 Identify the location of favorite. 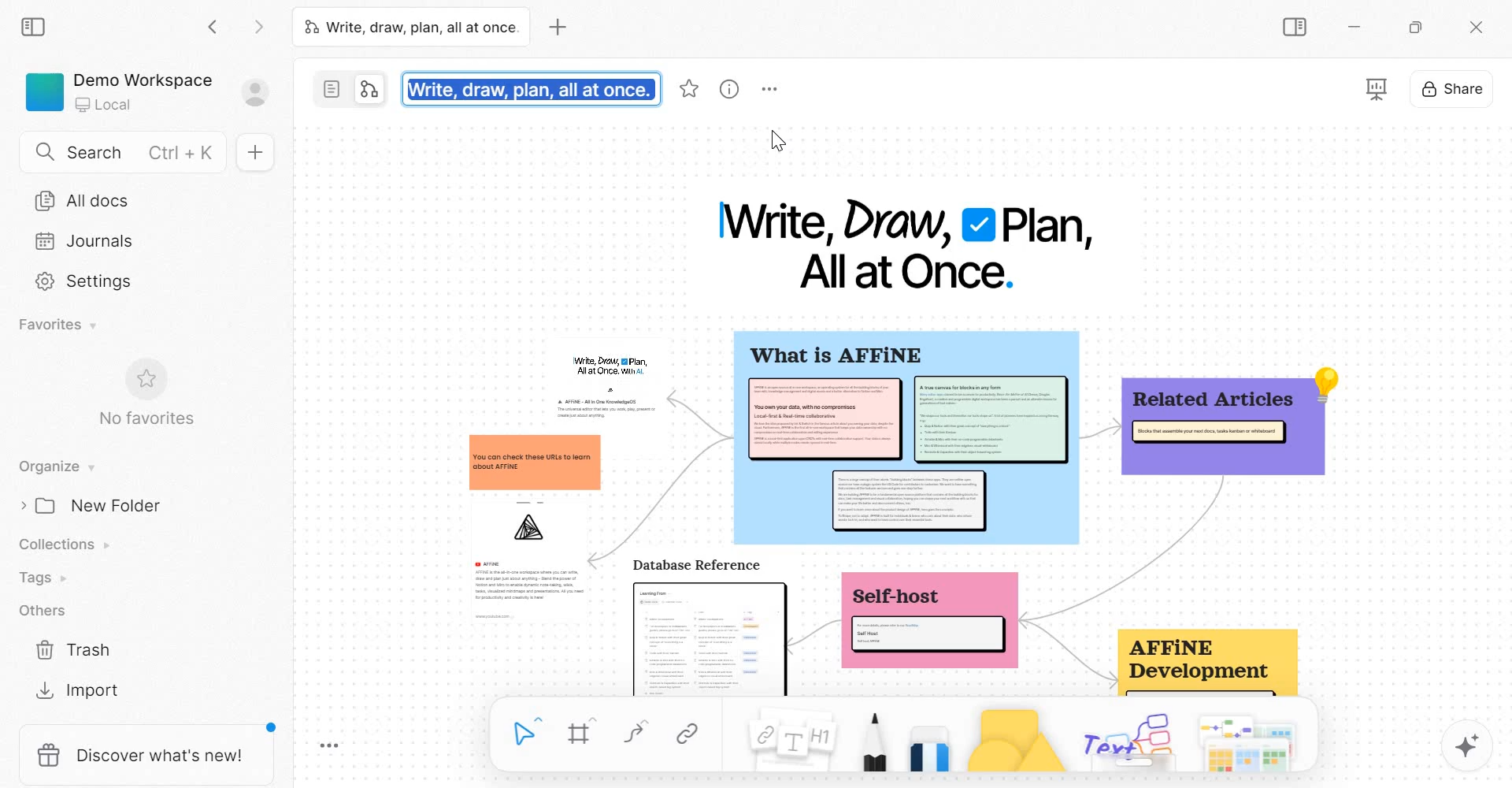
(689, 89).